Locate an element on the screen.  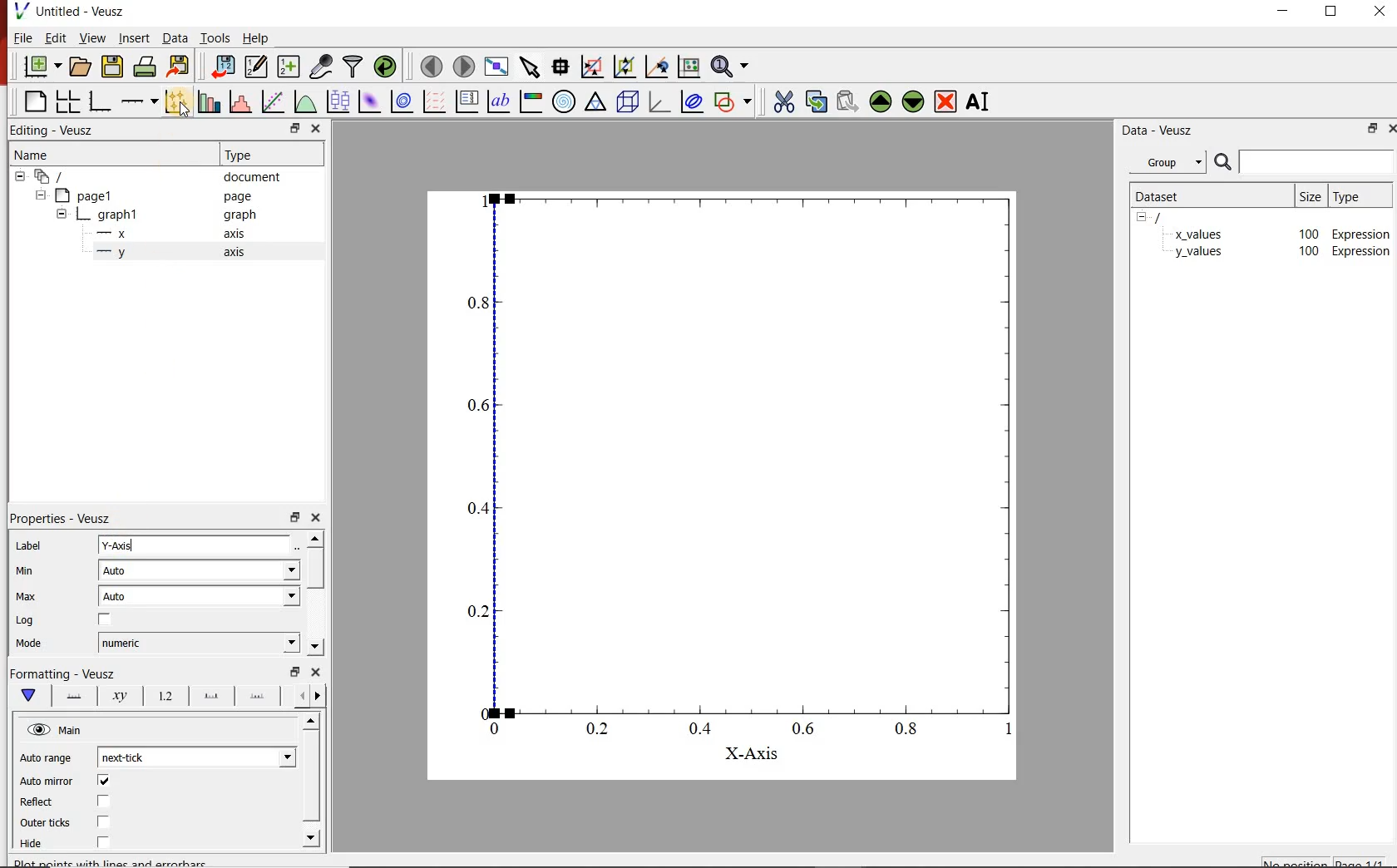
X-Axis is located at coordinates (752, 756).